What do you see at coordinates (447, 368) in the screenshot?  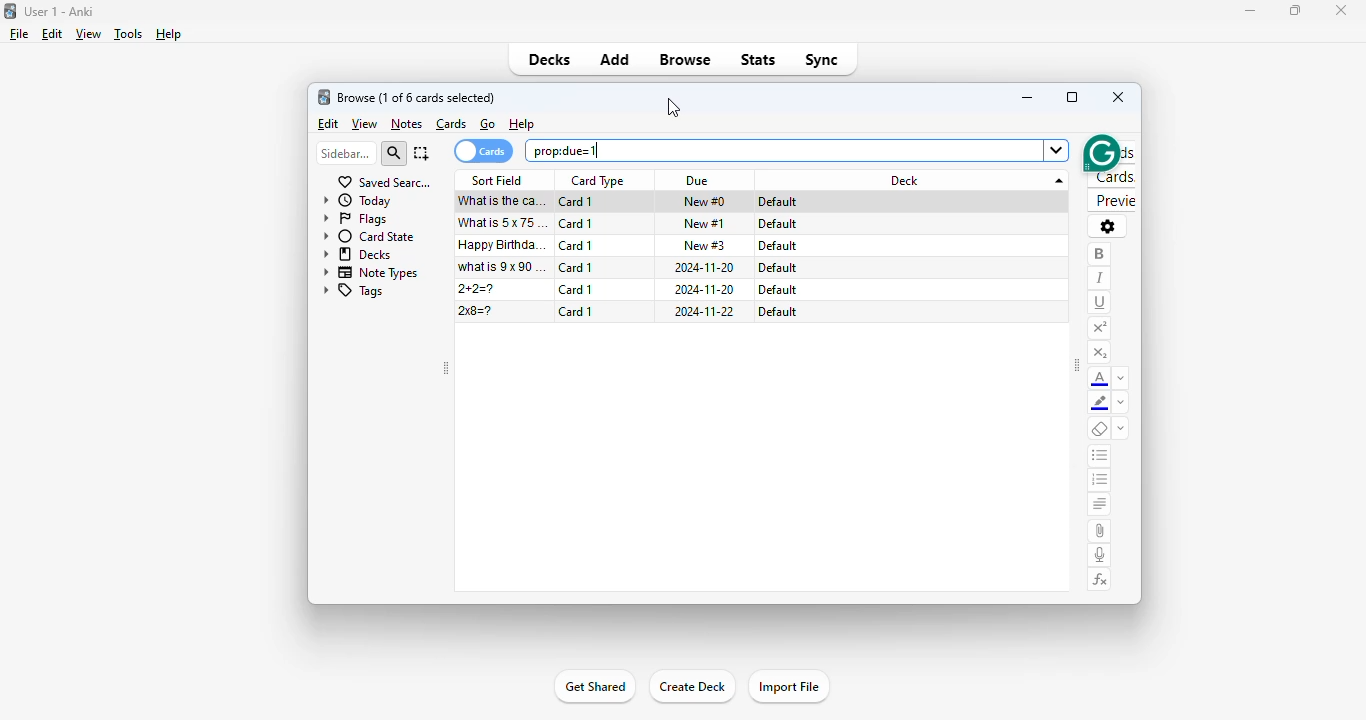 I see `toggle sidebar` at bounding box center [447, 368].